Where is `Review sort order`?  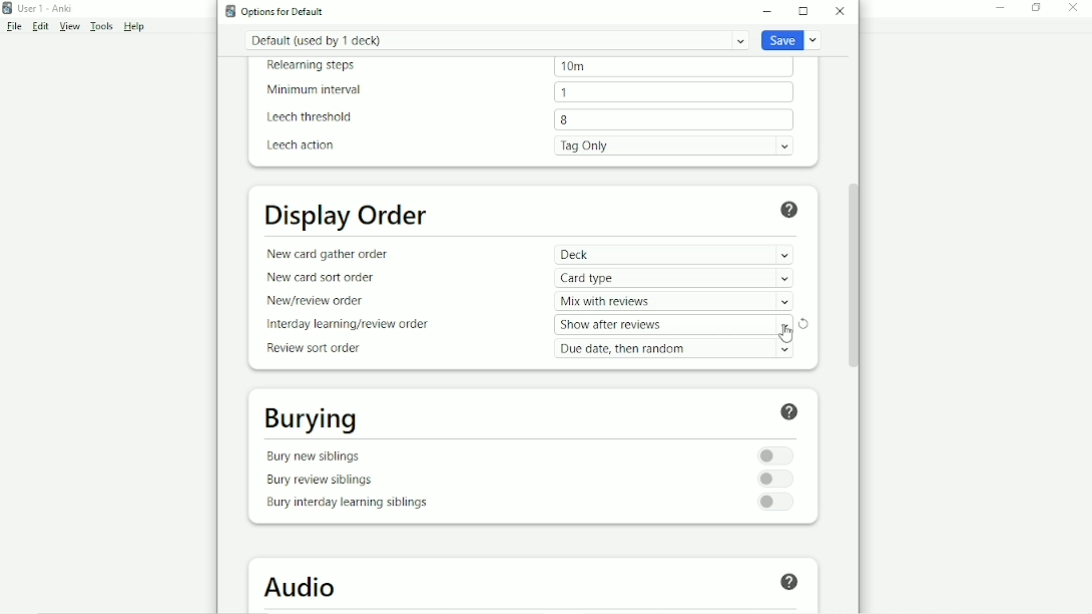
Review sort order is located at coordinates (313, 348).